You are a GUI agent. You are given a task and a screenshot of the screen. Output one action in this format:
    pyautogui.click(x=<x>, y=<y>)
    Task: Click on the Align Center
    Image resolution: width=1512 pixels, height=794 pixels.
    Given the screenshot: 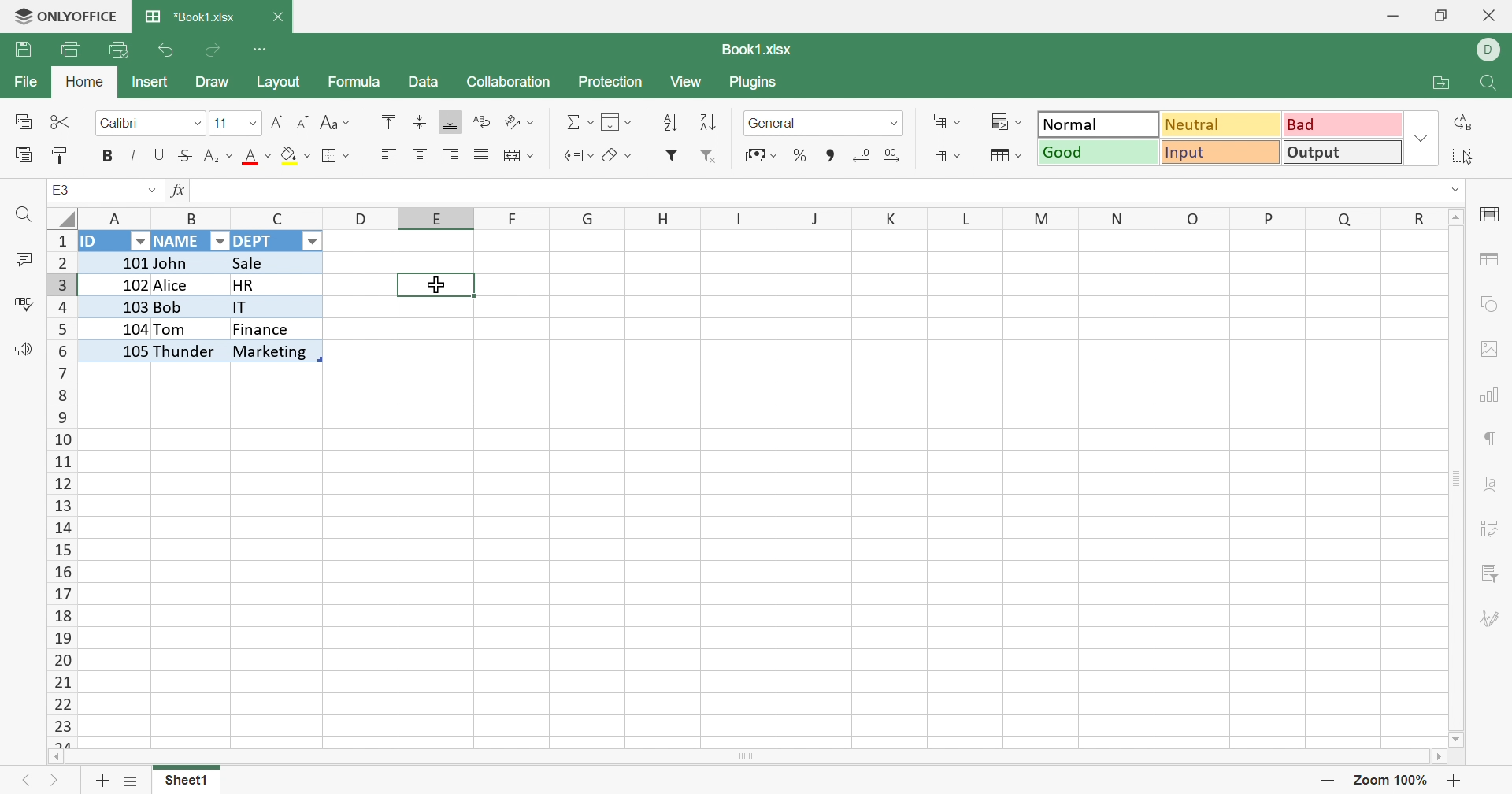 What is the action you would take?
    pyautogui.click(x=421, y=158)
    